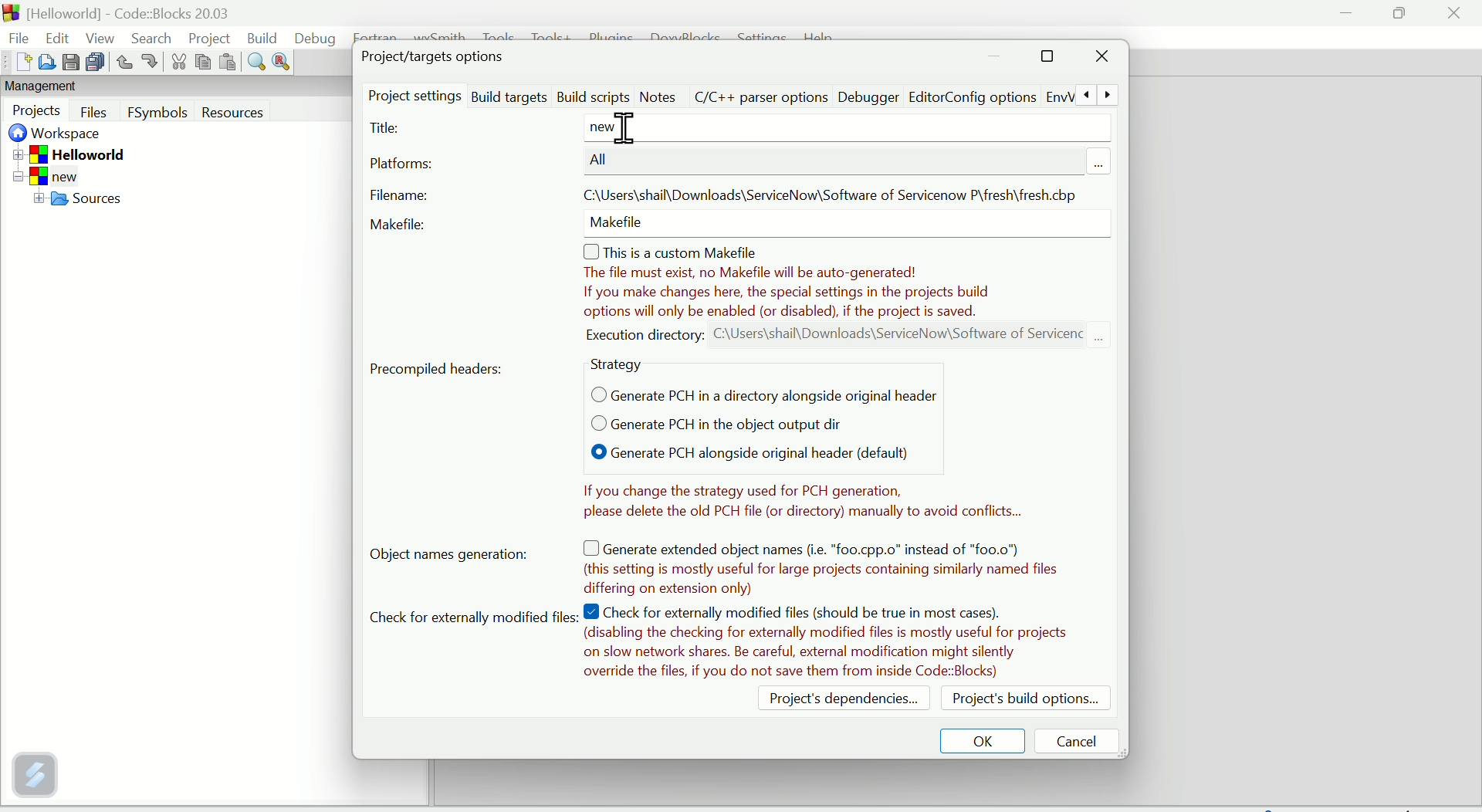 The width and height of the screenshot is (1482, 812). What do you see at coordinates (996, 59) in the screenshot?
I see `minimise` at bounding box center [996, 59].